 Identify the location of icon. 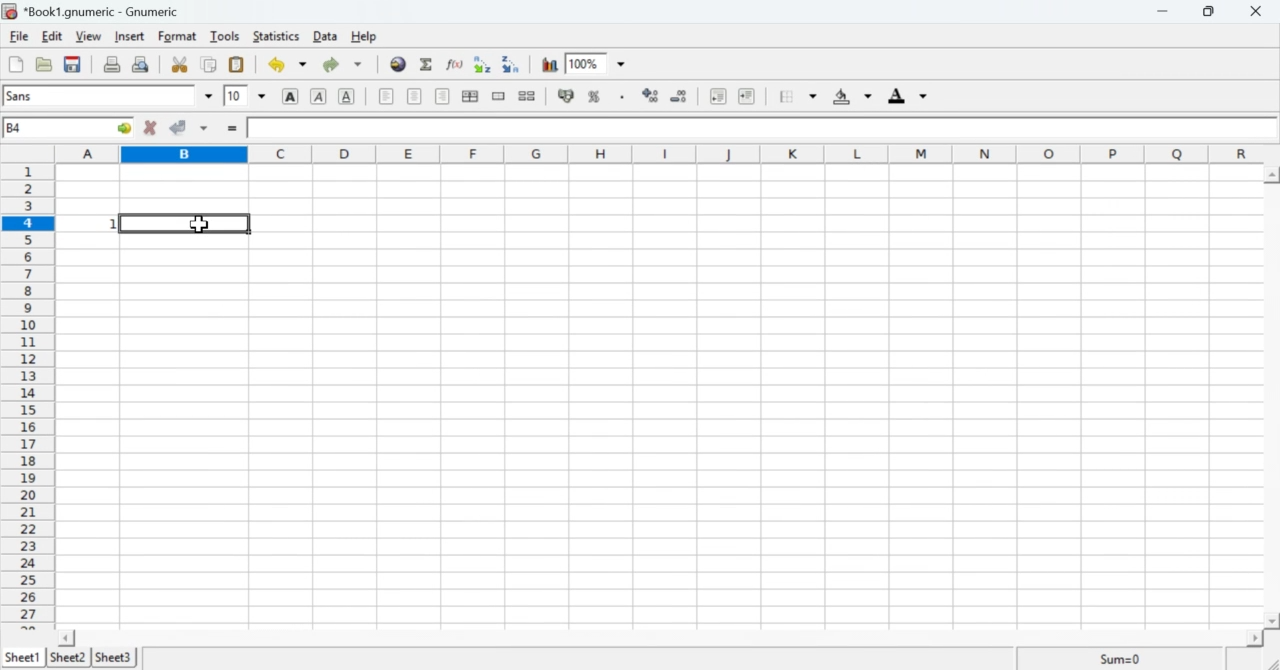
(10, 11).